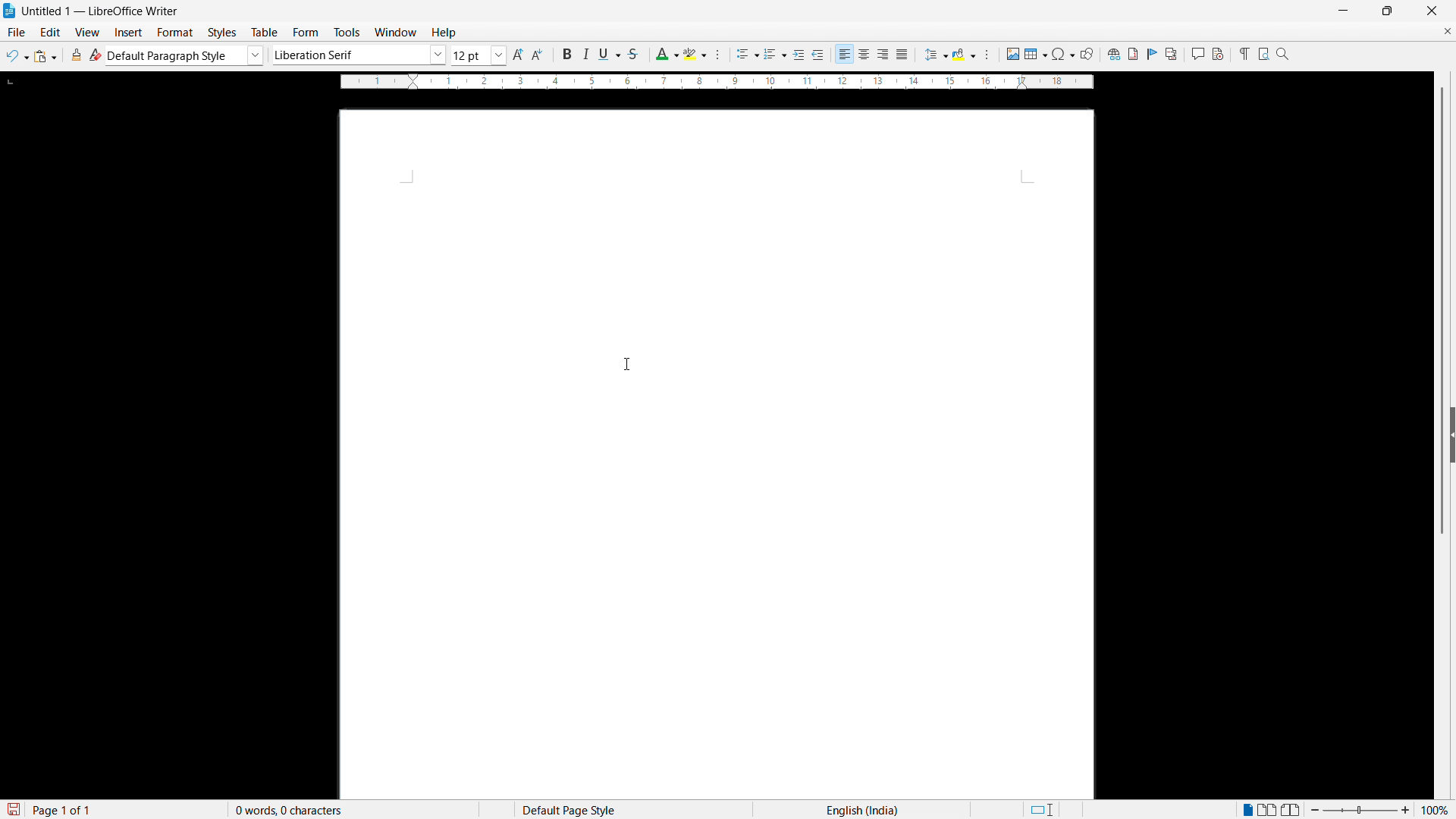  Describe the element at coordinates (129, 33) in the screenshot. I see `Insert ` at that location.